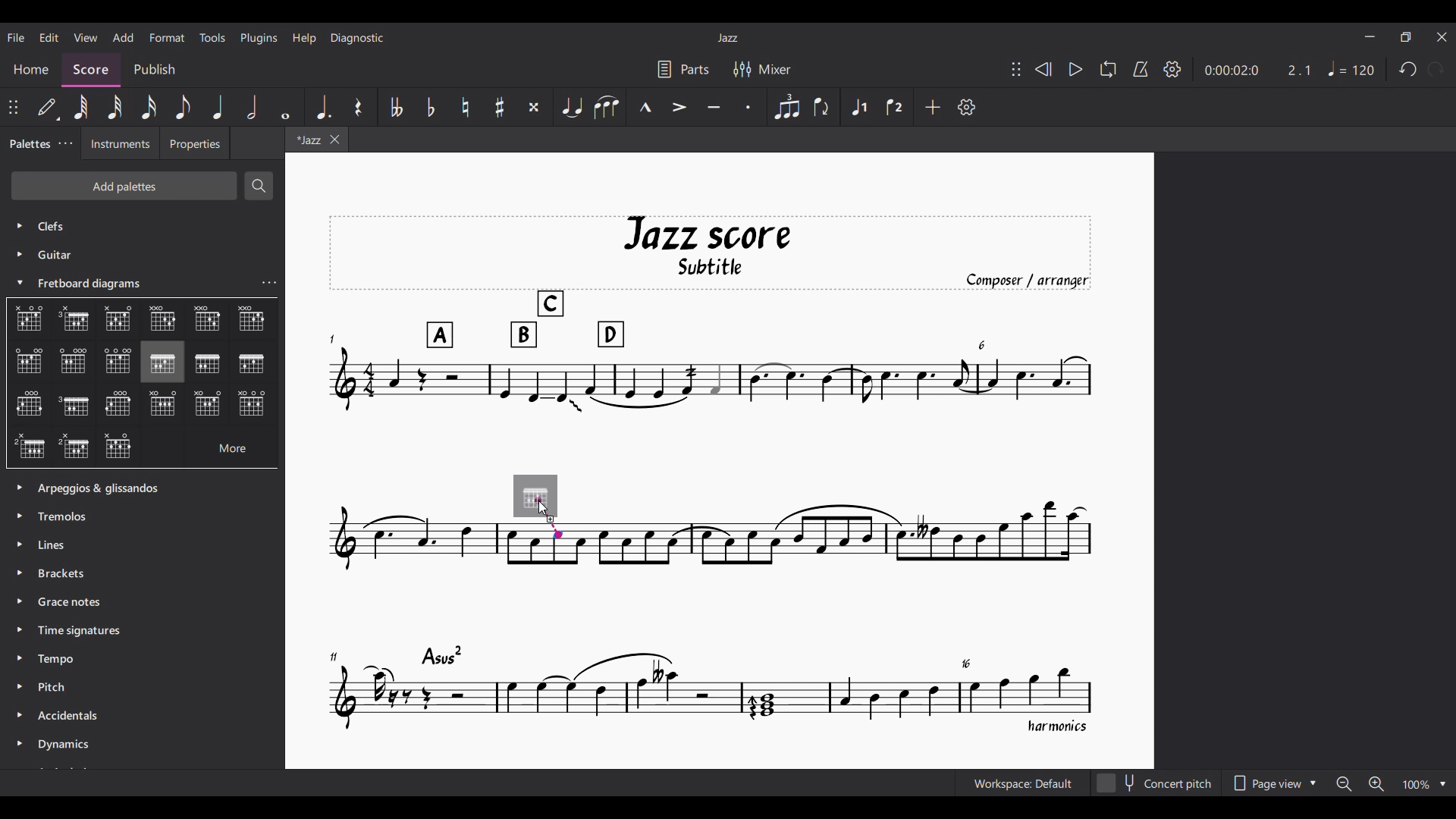  Describe the element at coordinates (786, 108) in the screenshot. I see `Tuplet` at that location.